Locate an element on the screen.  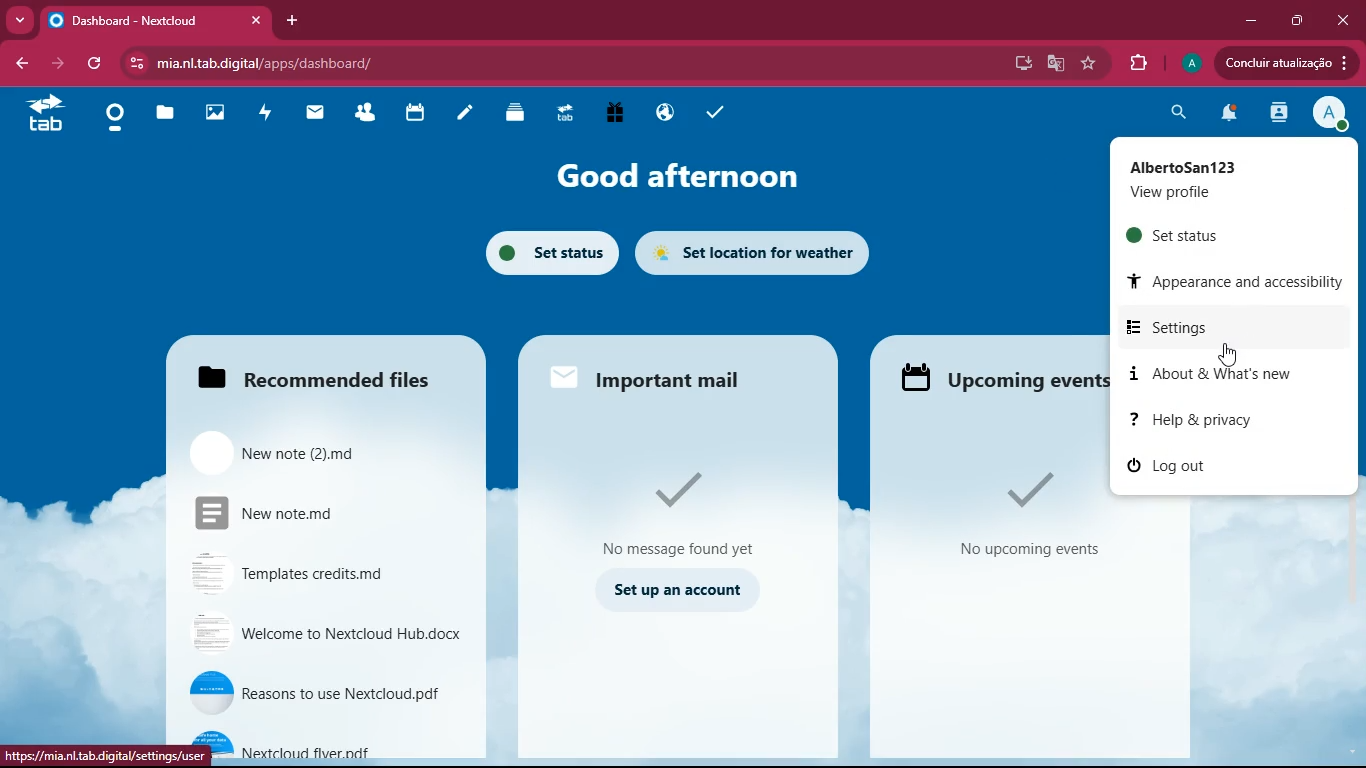
activity is located at coordinates (1279, 114).